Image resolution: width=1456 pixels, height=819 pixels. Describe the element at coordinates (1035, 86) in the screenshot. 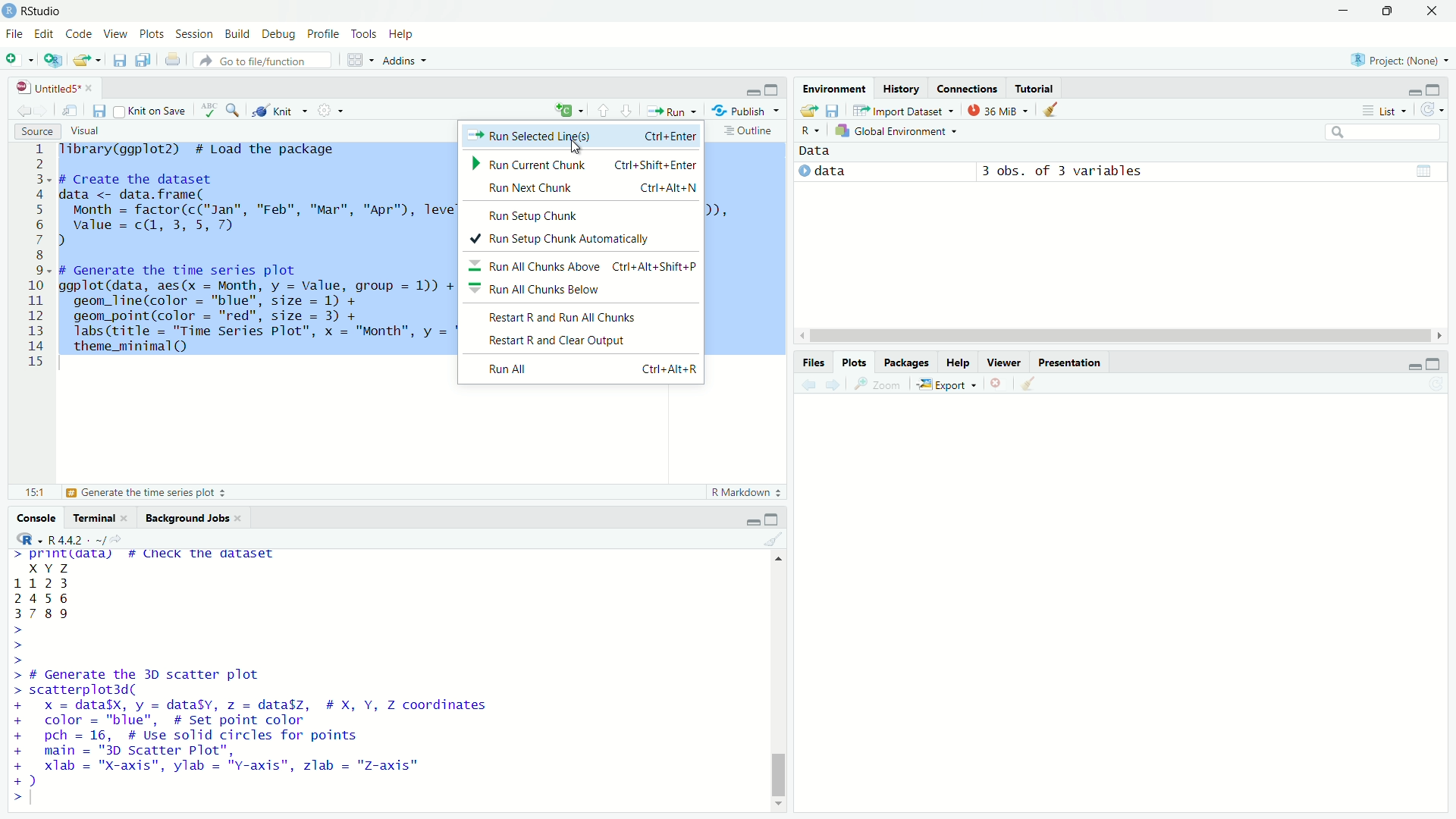

I see `tutorial` at that location.